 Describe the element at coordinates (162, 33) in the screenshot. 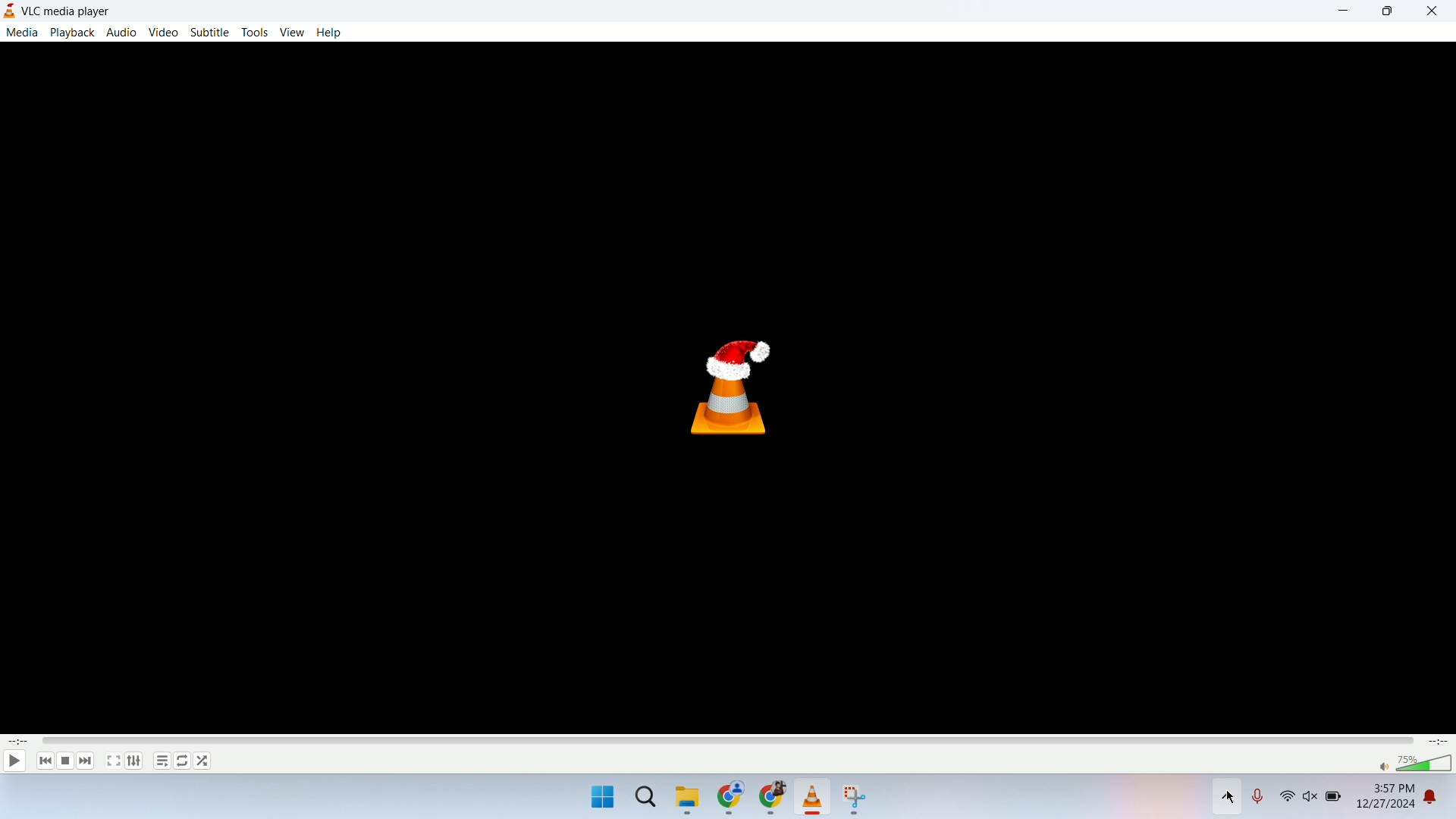

I see `video` at that location.